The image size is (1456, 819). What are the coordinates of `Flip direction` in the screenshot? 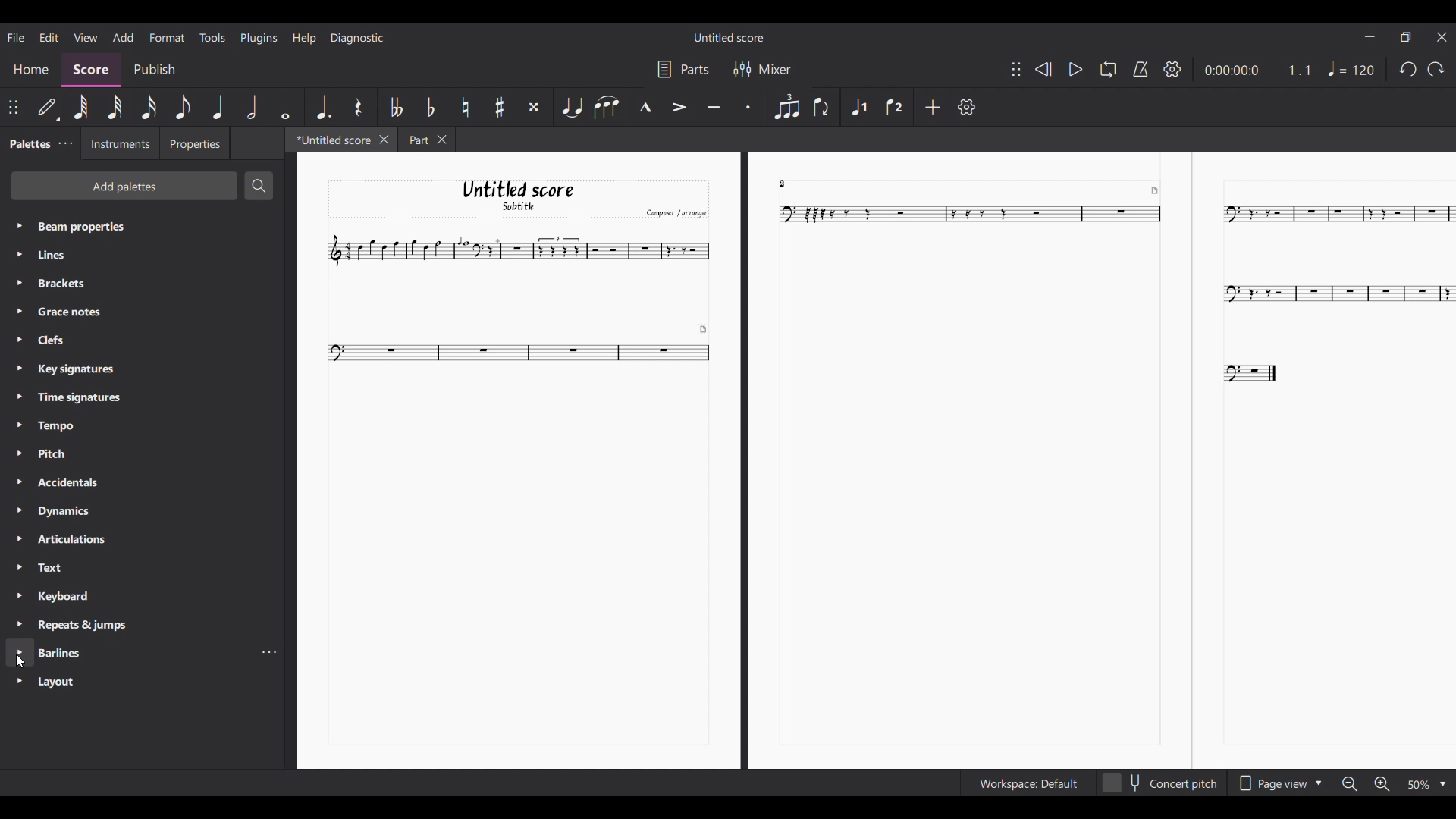 It's located at (822, 105).